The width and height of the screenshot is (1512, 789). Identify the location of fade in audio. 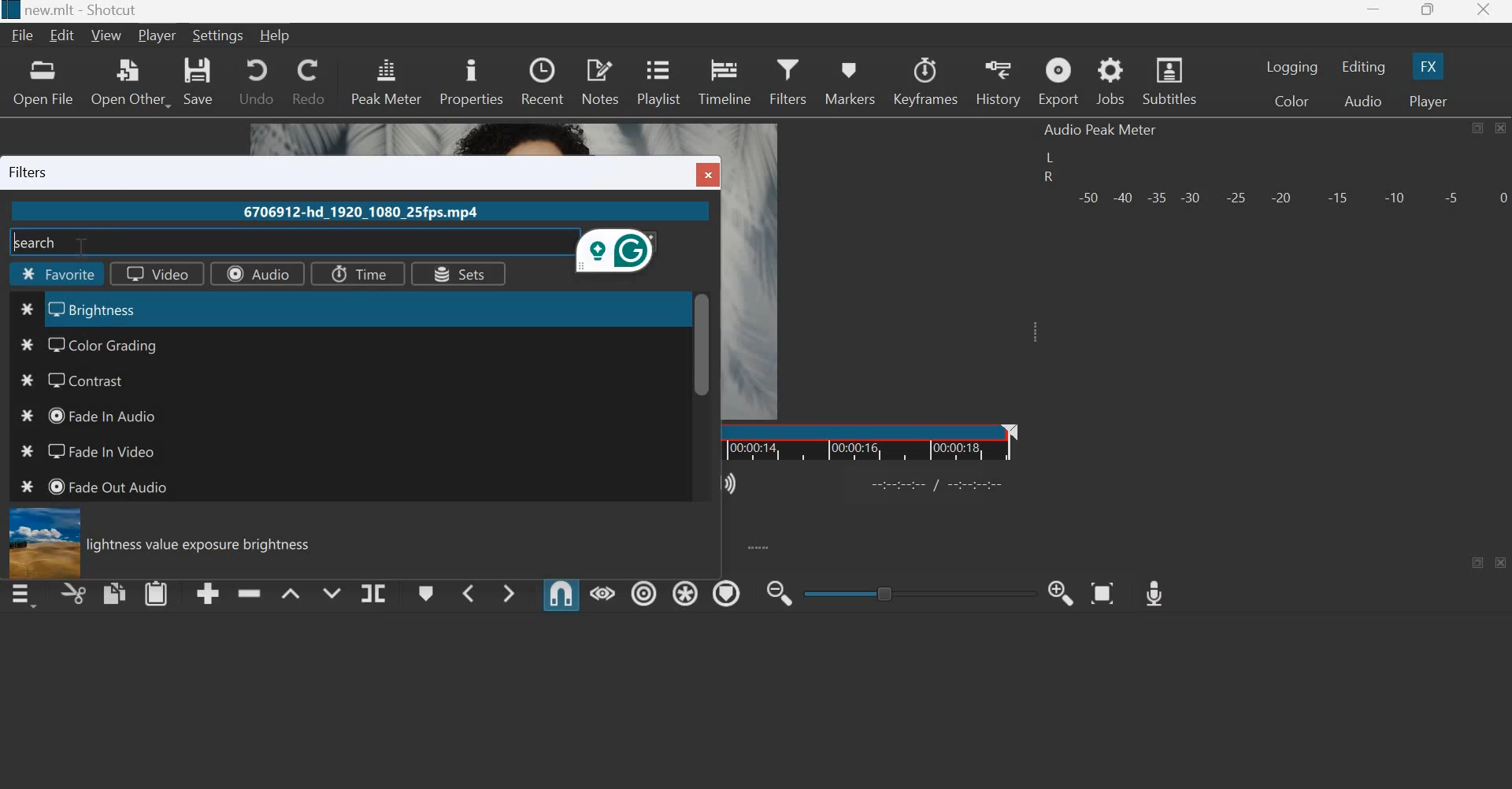
(102, 414).